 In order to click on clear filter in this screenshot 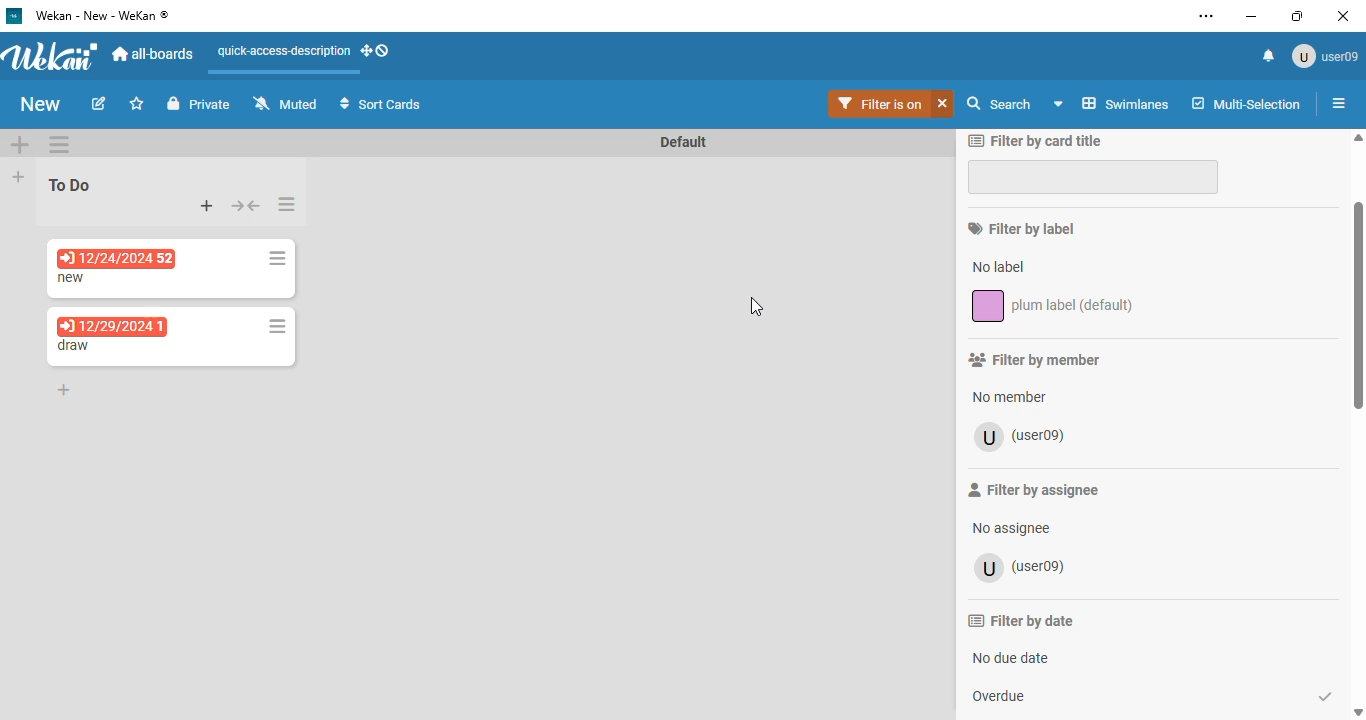, I will do `click(943, 103)`.